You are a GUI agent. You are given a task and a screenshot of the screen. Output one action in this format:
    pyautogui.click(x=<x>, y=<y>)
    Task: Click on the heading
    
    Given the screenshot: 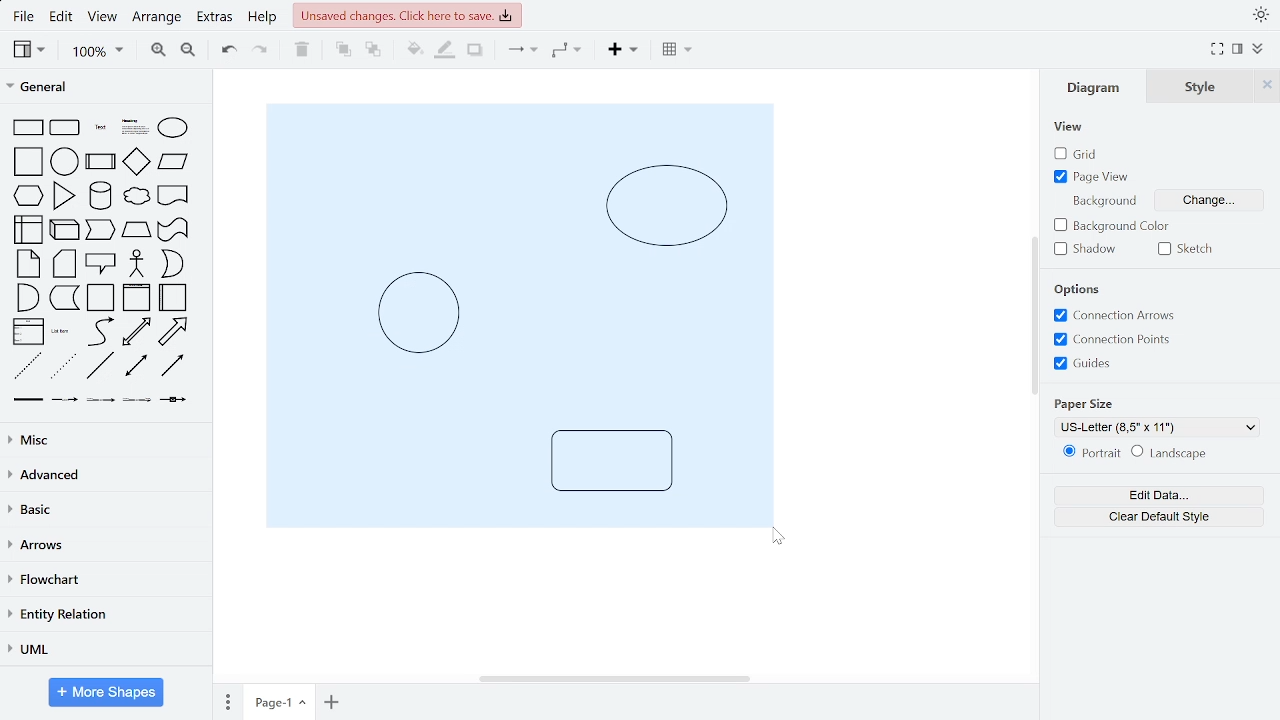 What is the action you would take?
    pyautogui.click(x=134, y=128)
    